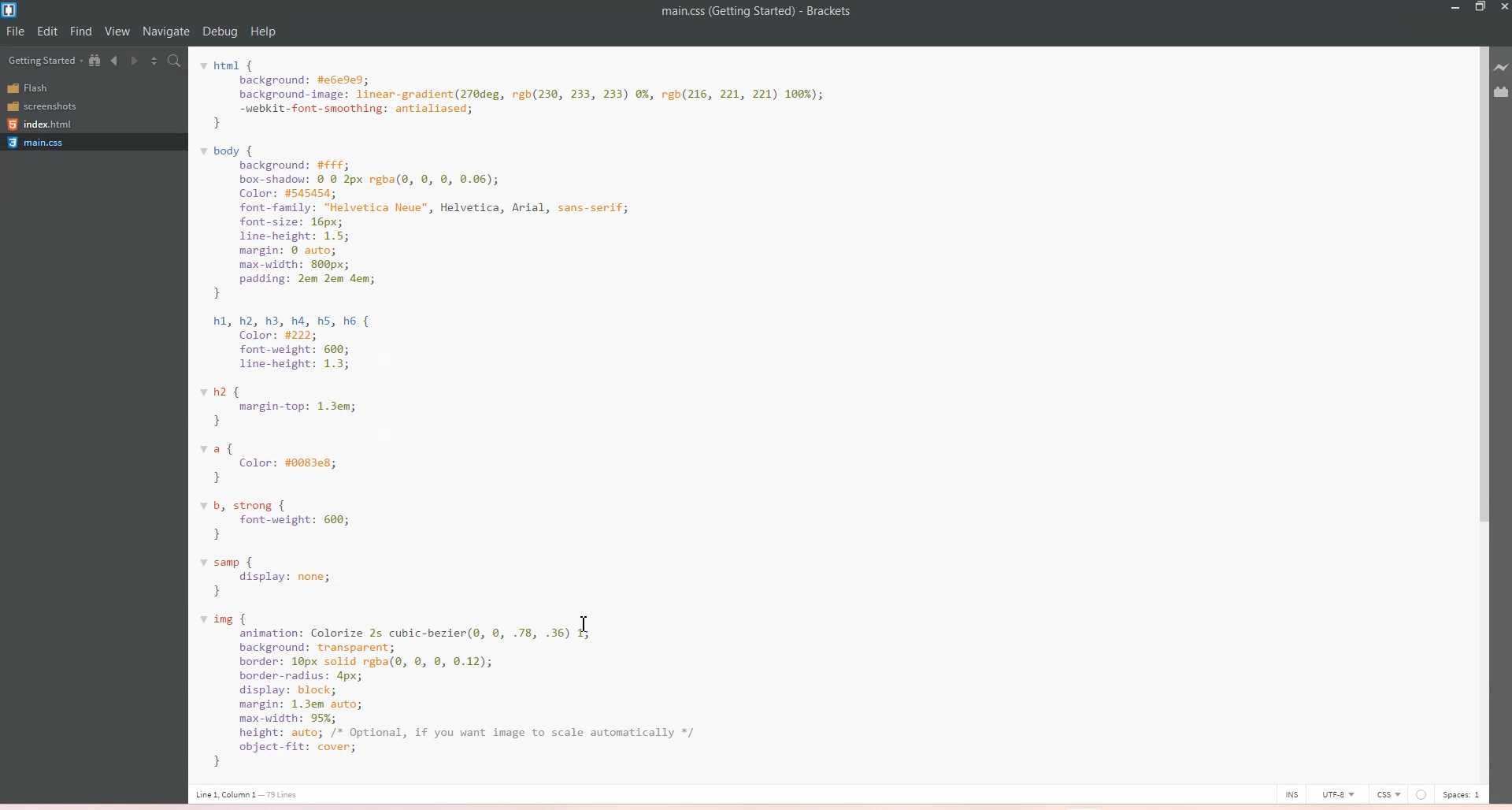  What do you see at coordinates (720, 430) in the screenshot?
I see `html {background: #e6e9ed;background-image: linear-gradient(270deg, rgb(230, 233, 233) 0%, rgb(216, 221, 221) 166%);-webkit-font-smoothing: antialiased;}body {background: #FFf;box-shadou: © 0 2px rgba(0, ©, 8, 0.06);Color: #545454;font-family: "Helvetica Neue", Helvetica, Arial, sans-serif;font-size: 16px;line-height: 1.5;margin: © auto;max-width: 800px;padding: 2em 2em dem;}hl, h2, h3, ha, hs, h6 {Color: #222;font-weight: 600;line-height: 1.3;2 {margin-top: 1.3em;}a {Color: #0083e8;}b, strong {font-weight: 600;}samp {display: none;}img {animation: Colorize 2s cubic-bezier(@, 0, .78, .36) 1;background: transparent;border: 10px solid rgba(, ©, 8, 0.12);border-radius: 4px;display: block;margin: 1.3em auto;max-width: 95%;height: auto; /* Optional, if you want image to scale automatically */object-Fit: cover;1 line1 Column 1 — 73 ines` at bounding box center [720, 430].